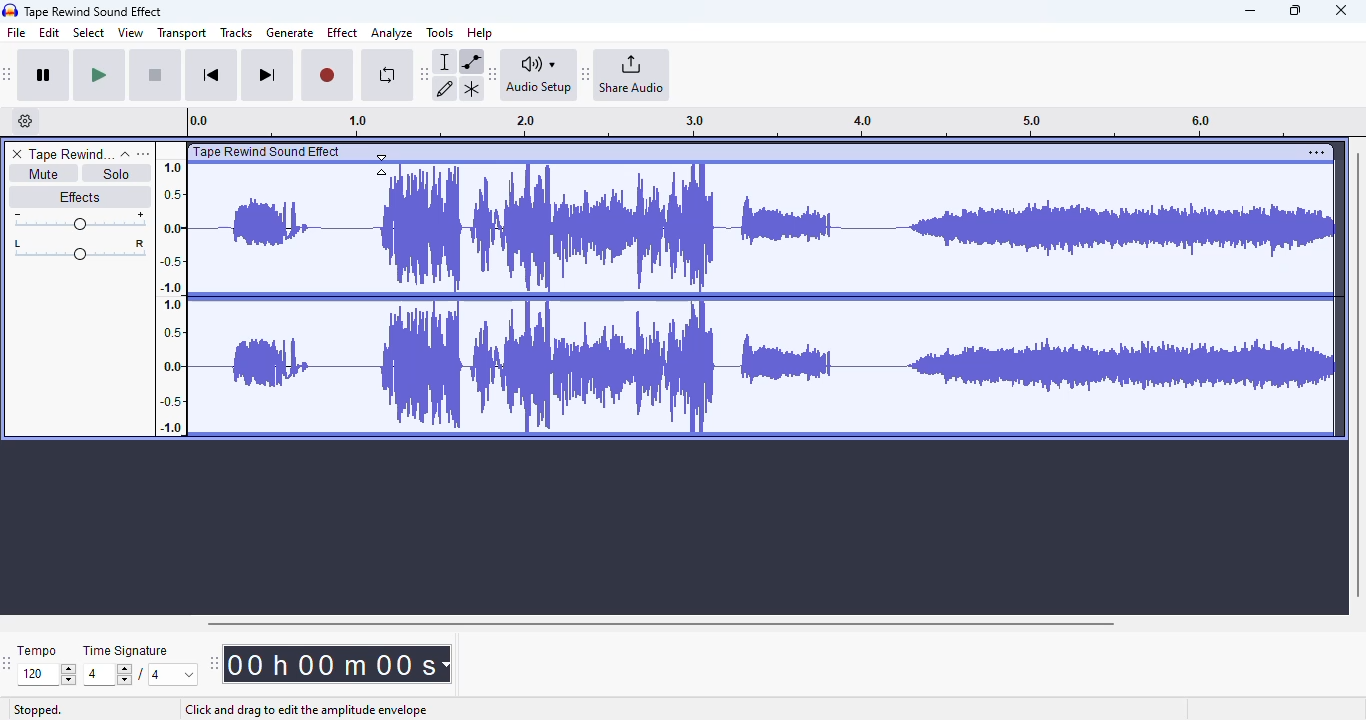 This screenshot has height=720, width=1366. What do you see at coordinates (117, 173) in the screenshot?
I see `solo` at bounding box center [117, 173].